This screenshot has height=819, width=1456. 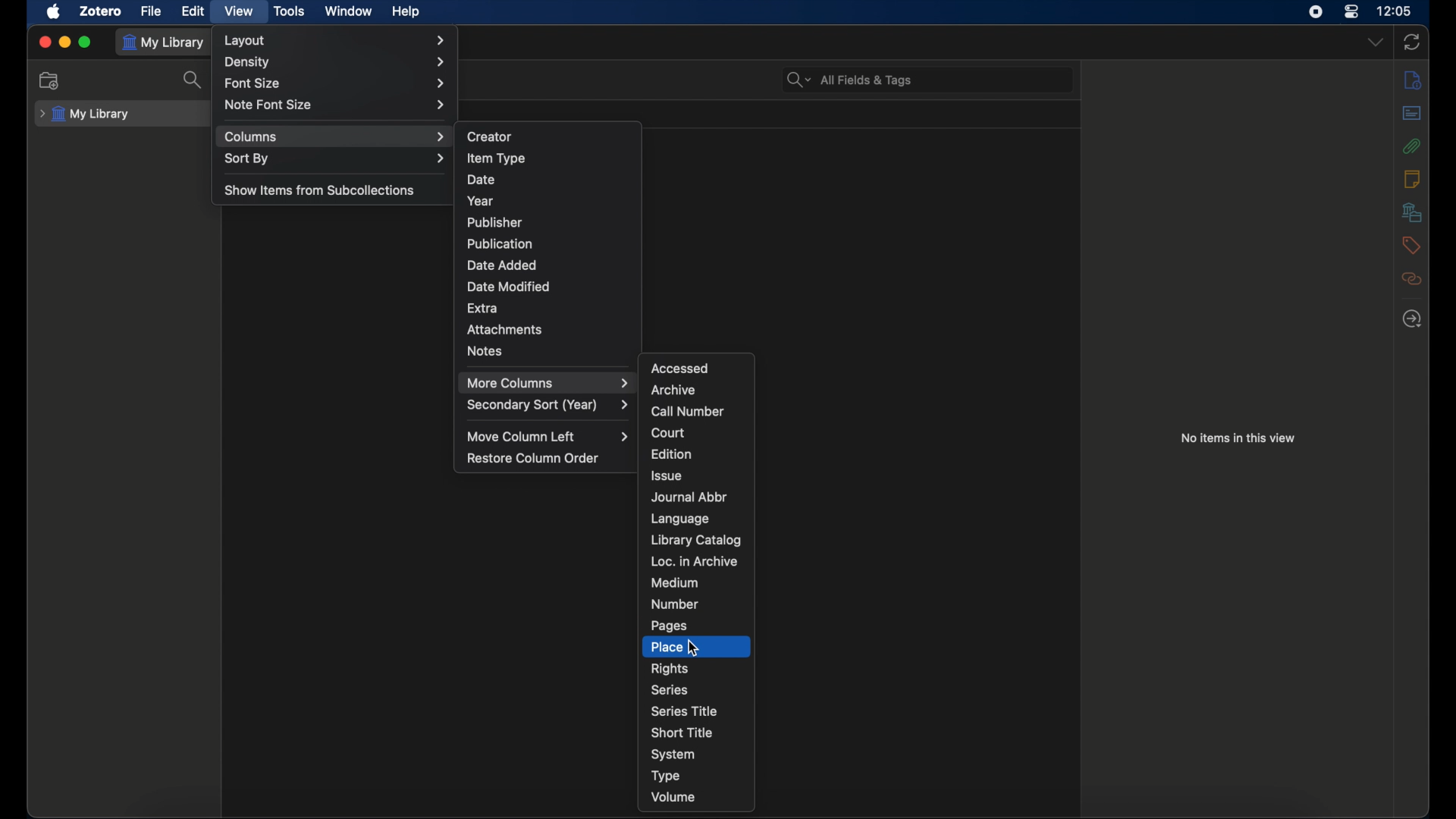 What do you see at coordinates (83, 115) in the screenshot?
I see `my library` at bounding box center [83, 115].